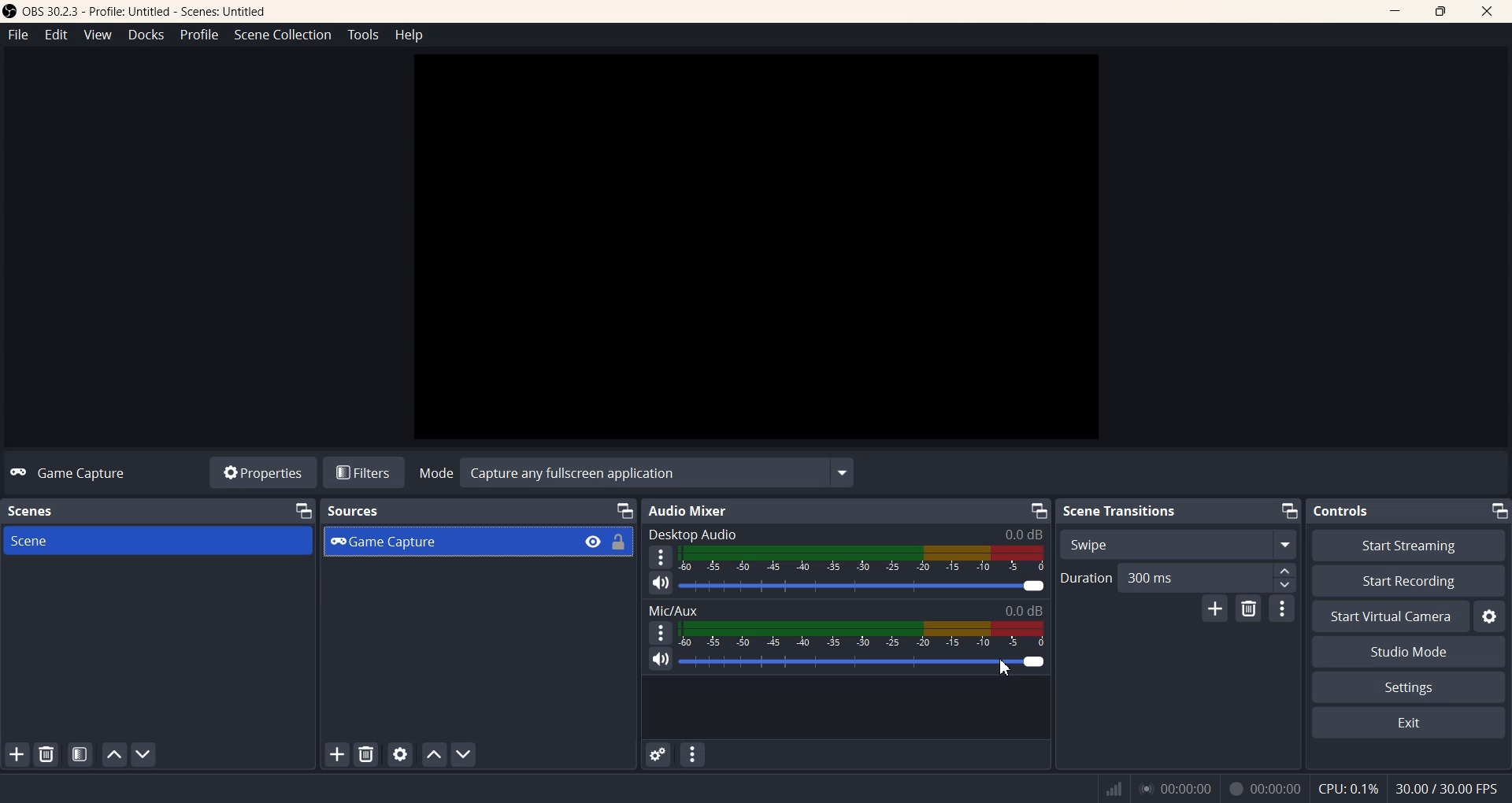 This screenshot has width=1512, height=803. Describe the element at coordinates (199, 35) in the screenshot. I see `Profile` at that location.